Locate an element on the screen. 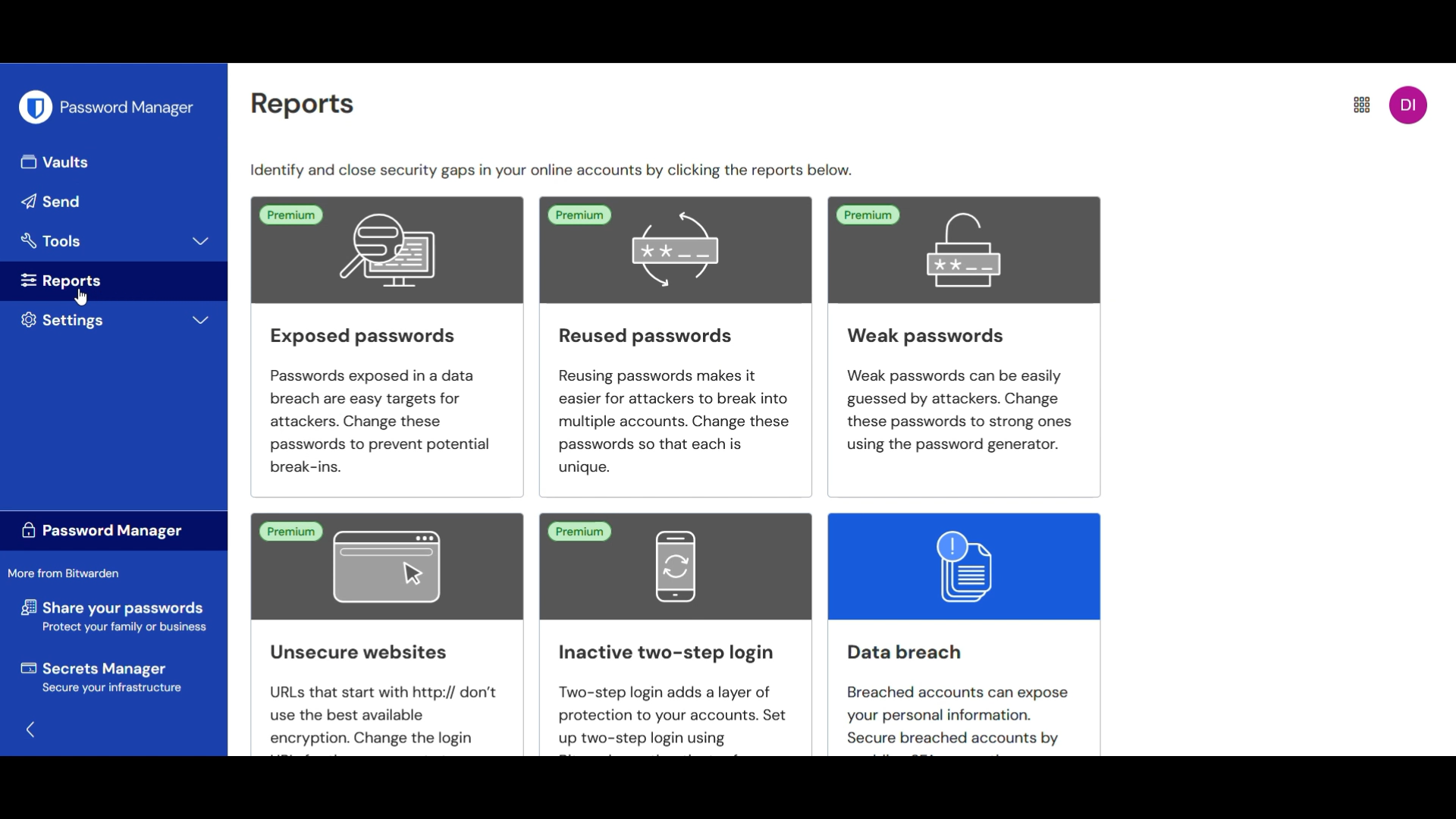 Image resolution: width=1456 pixels, height=819 pixels. Bitwarden logo is located at coordinates (35, 107).